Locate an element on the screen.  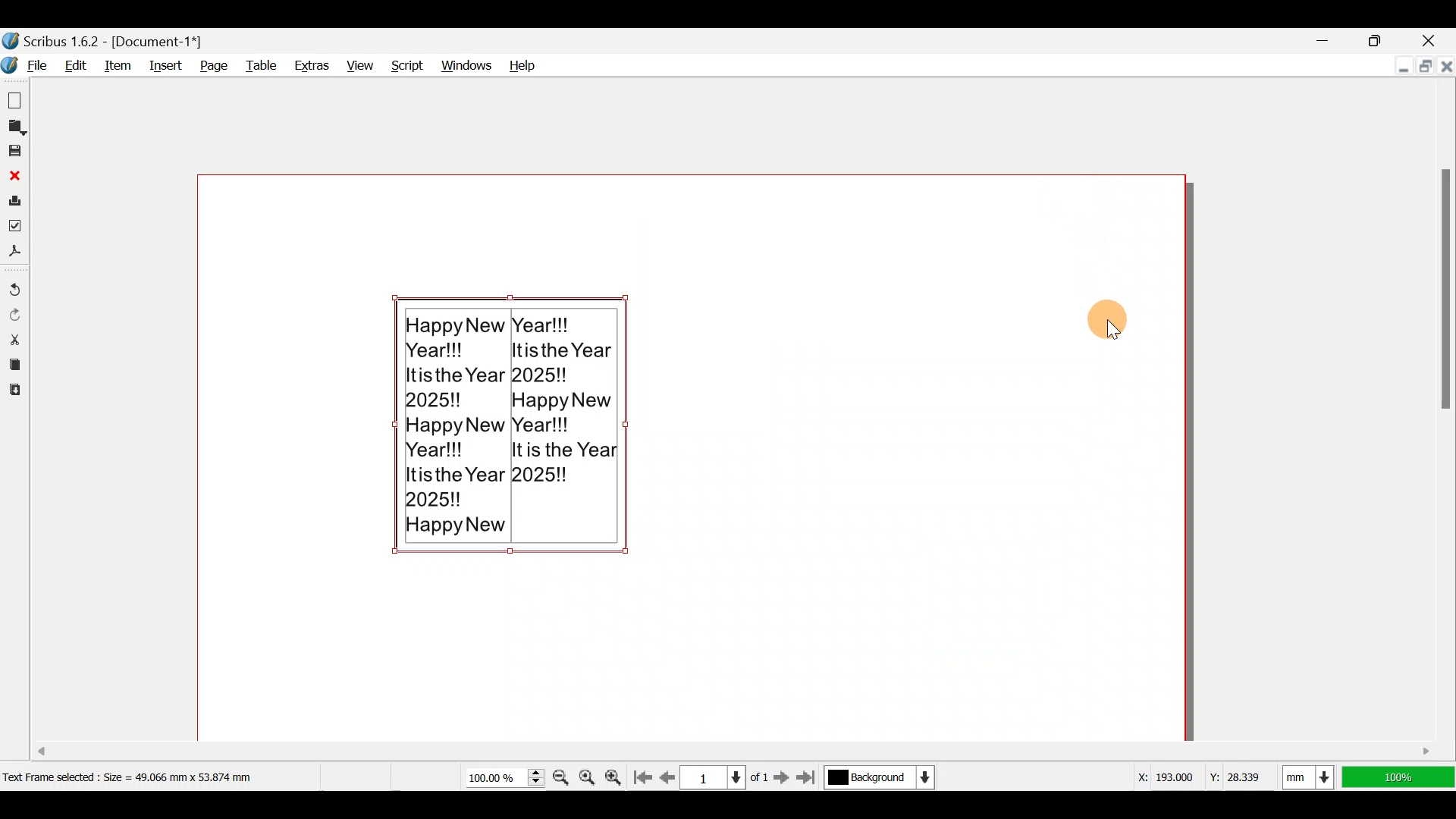
Cursor is located at coordinates (1116, 316).